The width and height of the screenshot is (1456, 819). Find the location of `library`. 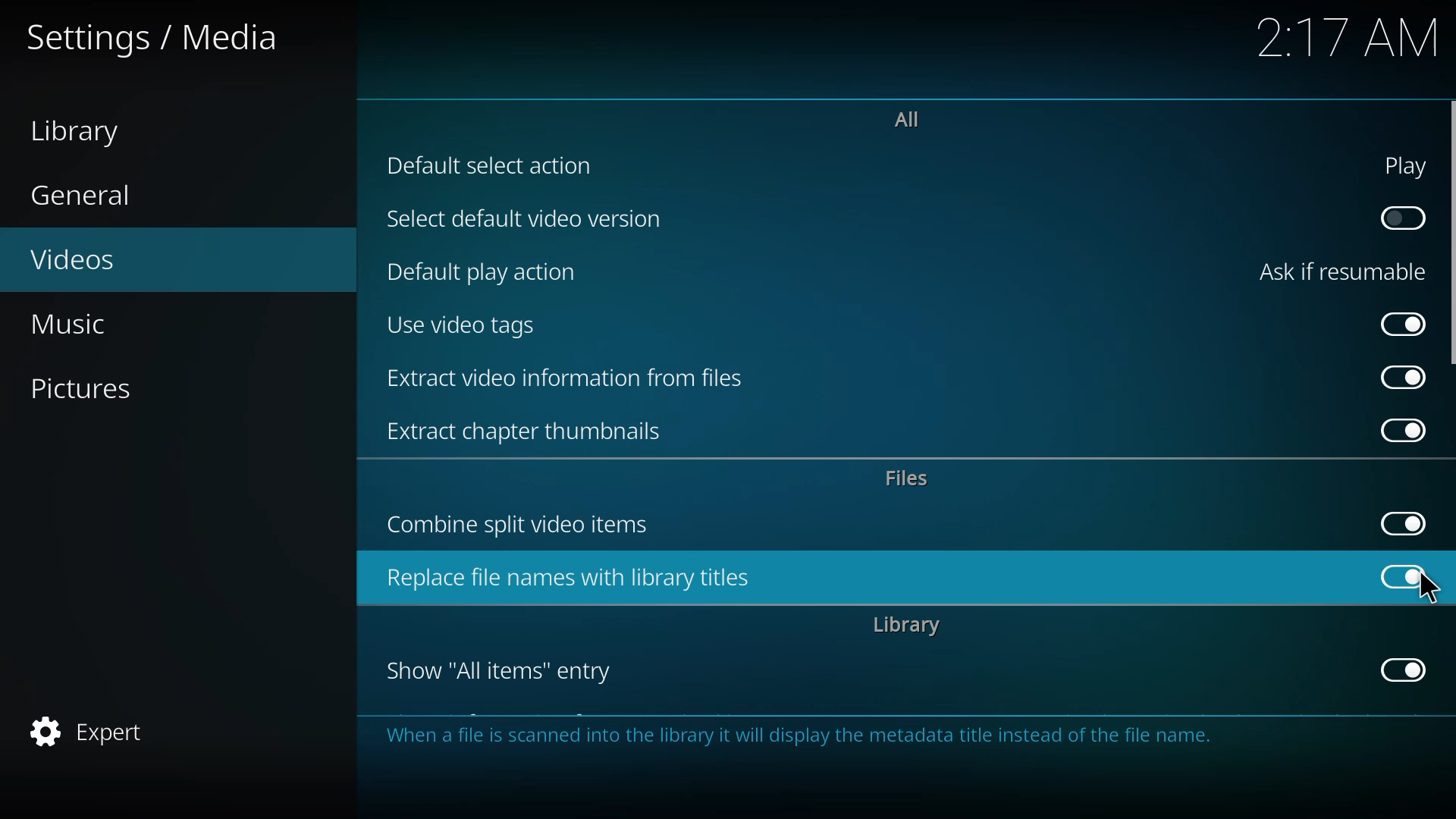

library is located at coordinates (908, 626).